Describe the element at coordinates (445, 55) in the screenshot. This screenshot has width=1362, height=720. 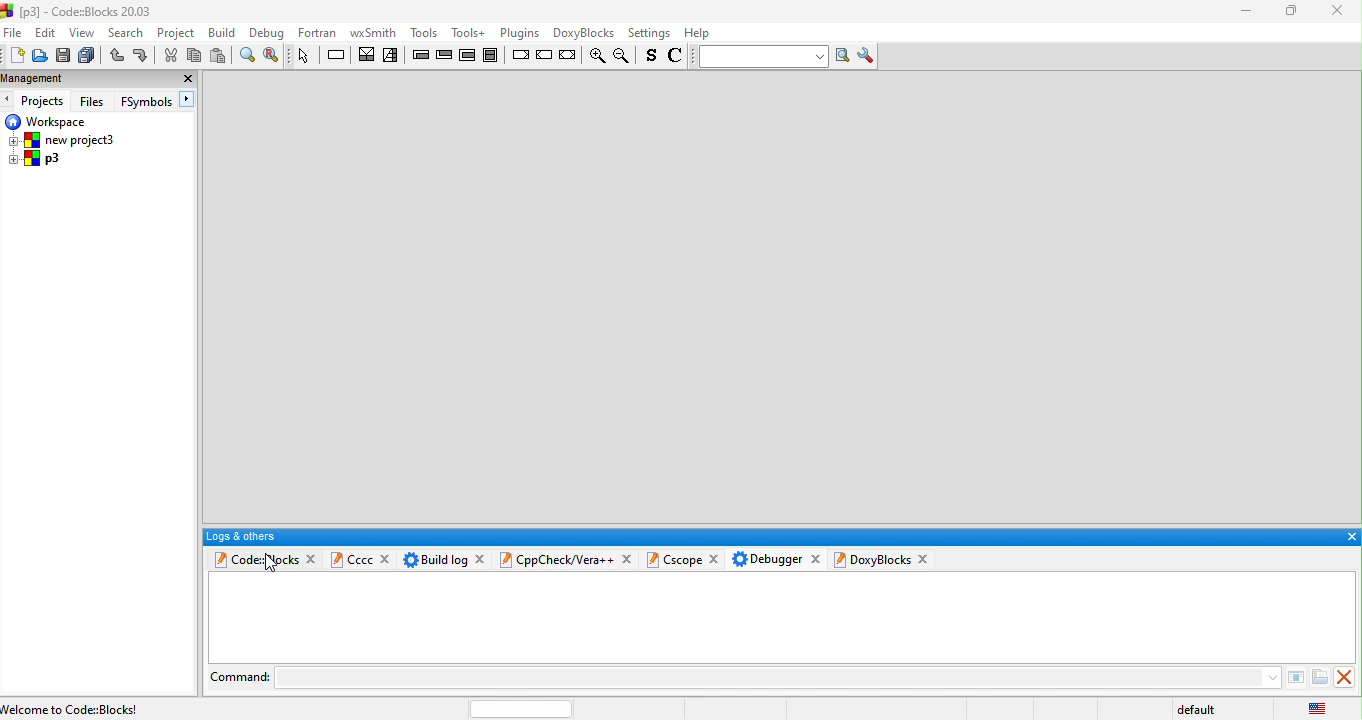
I see `exit condition loop` at that location.